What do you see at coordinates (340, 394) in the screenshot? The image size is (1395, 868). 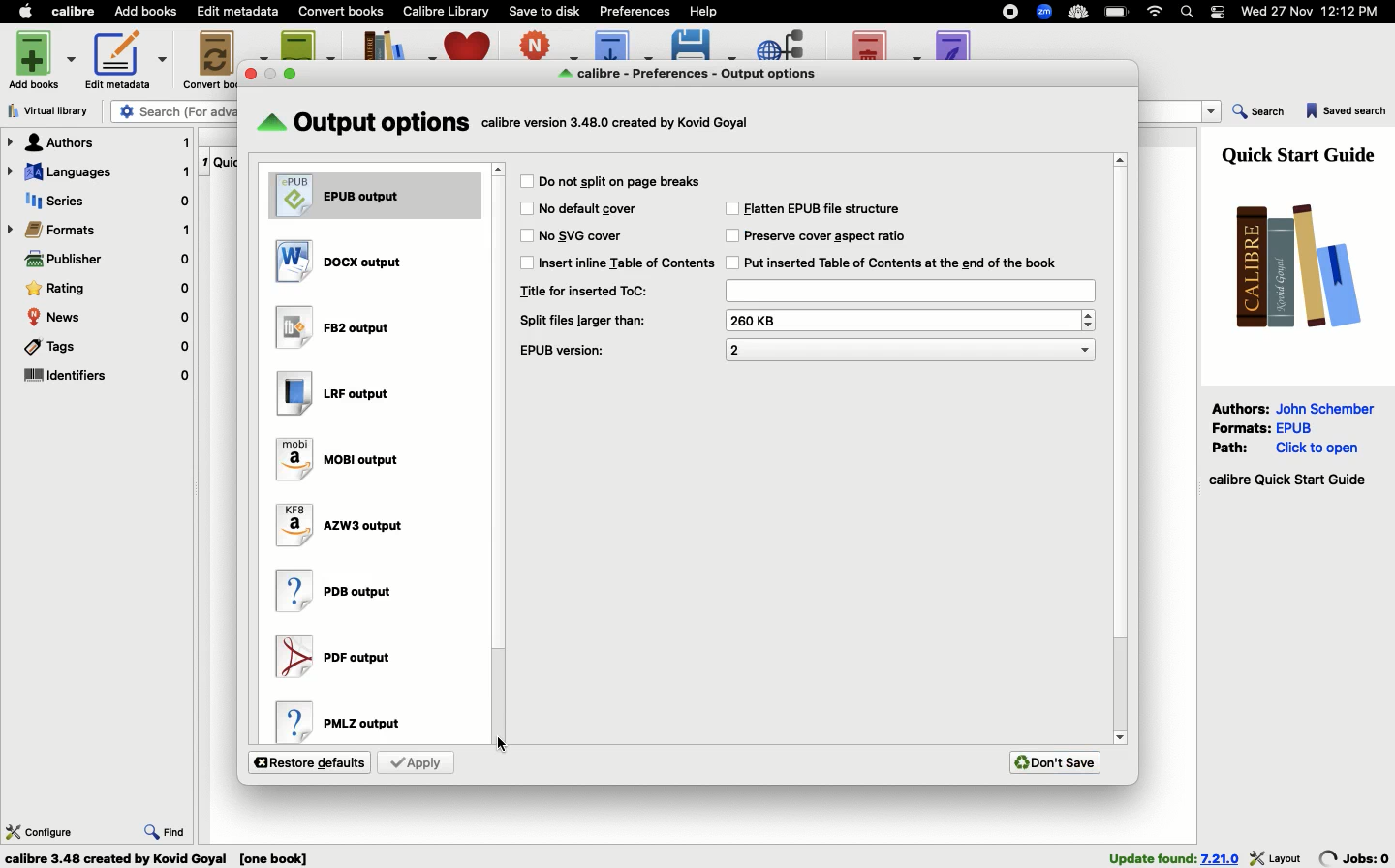 I see `LRF` at bounding box center [340, 394].